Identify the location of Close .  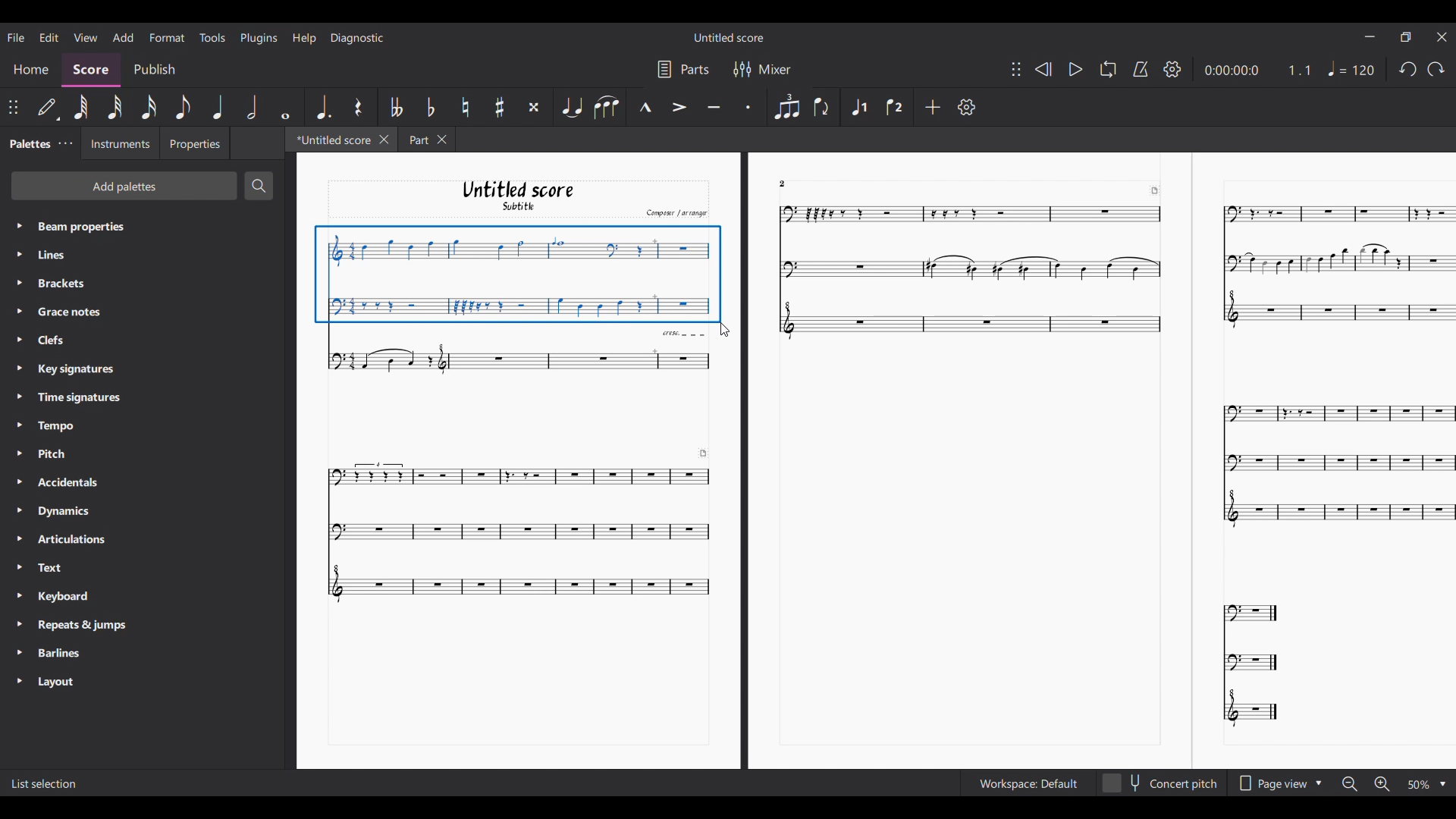
(1442, 36).